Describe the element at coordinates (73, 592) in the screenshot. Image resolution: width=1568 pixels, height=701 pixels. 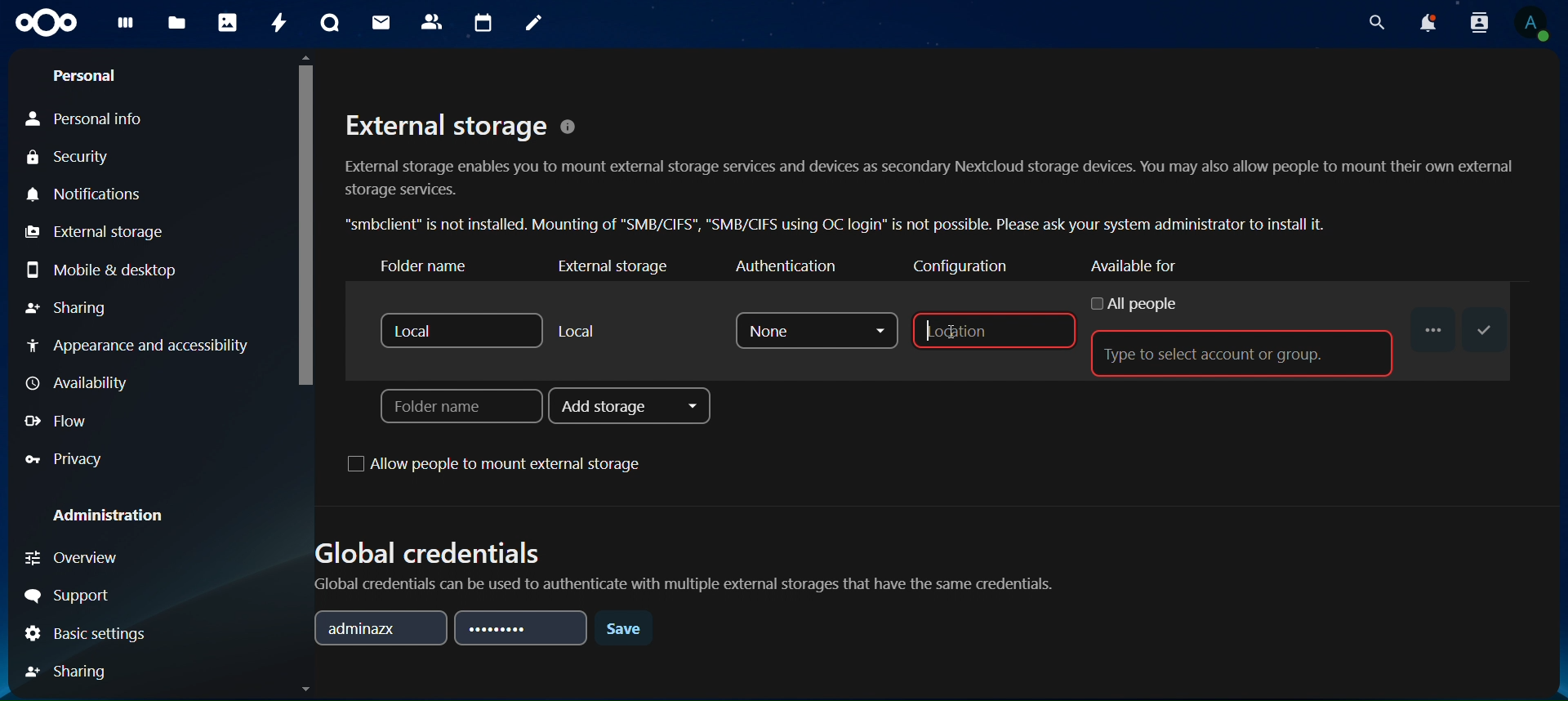
I see `support` at that location.